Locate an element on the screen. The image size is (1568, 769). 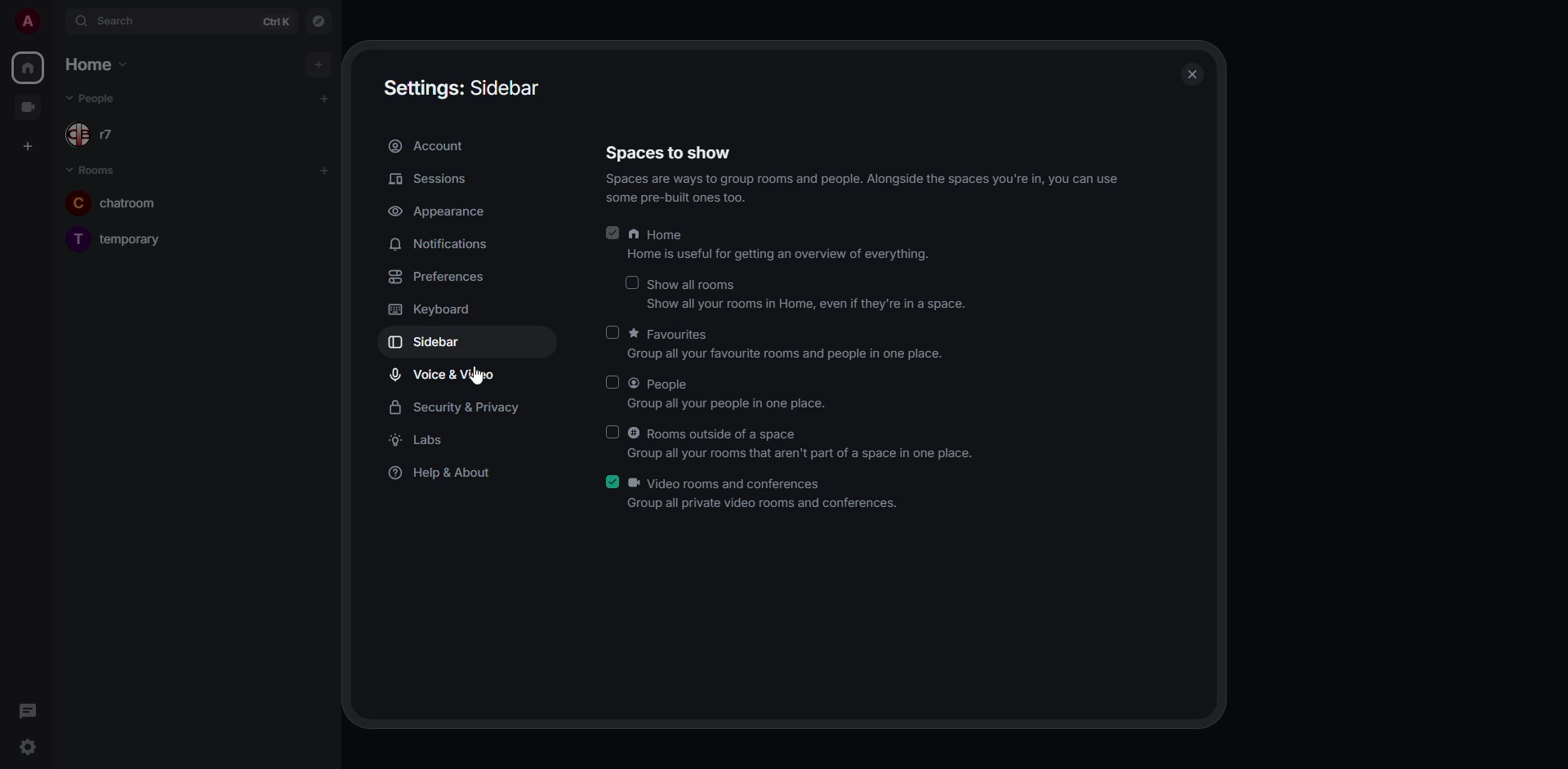
room is located at coordinates (94, 171).